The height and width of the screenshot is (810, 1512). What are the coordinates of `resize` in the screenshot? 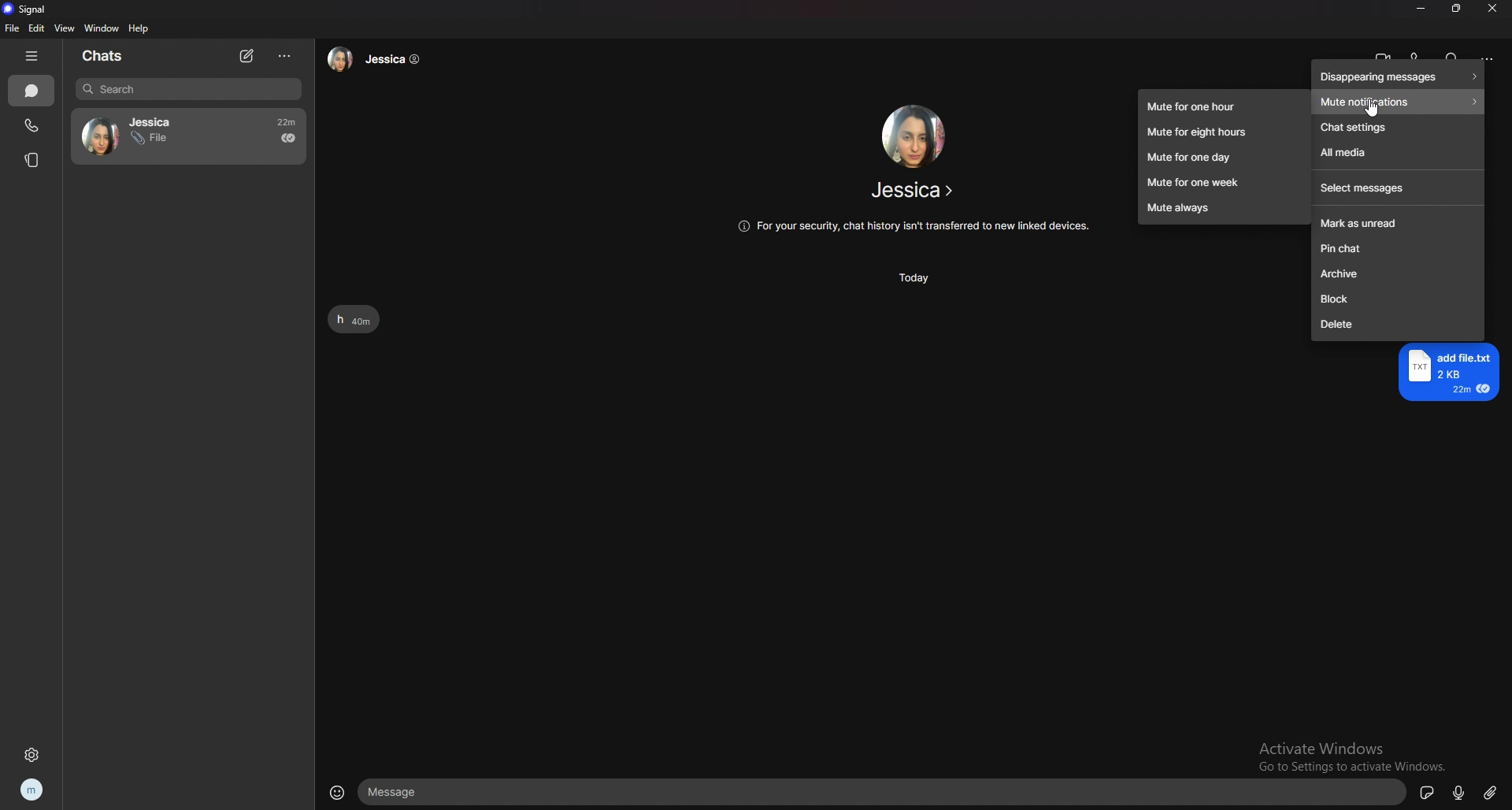 It's located at (1456, 8).